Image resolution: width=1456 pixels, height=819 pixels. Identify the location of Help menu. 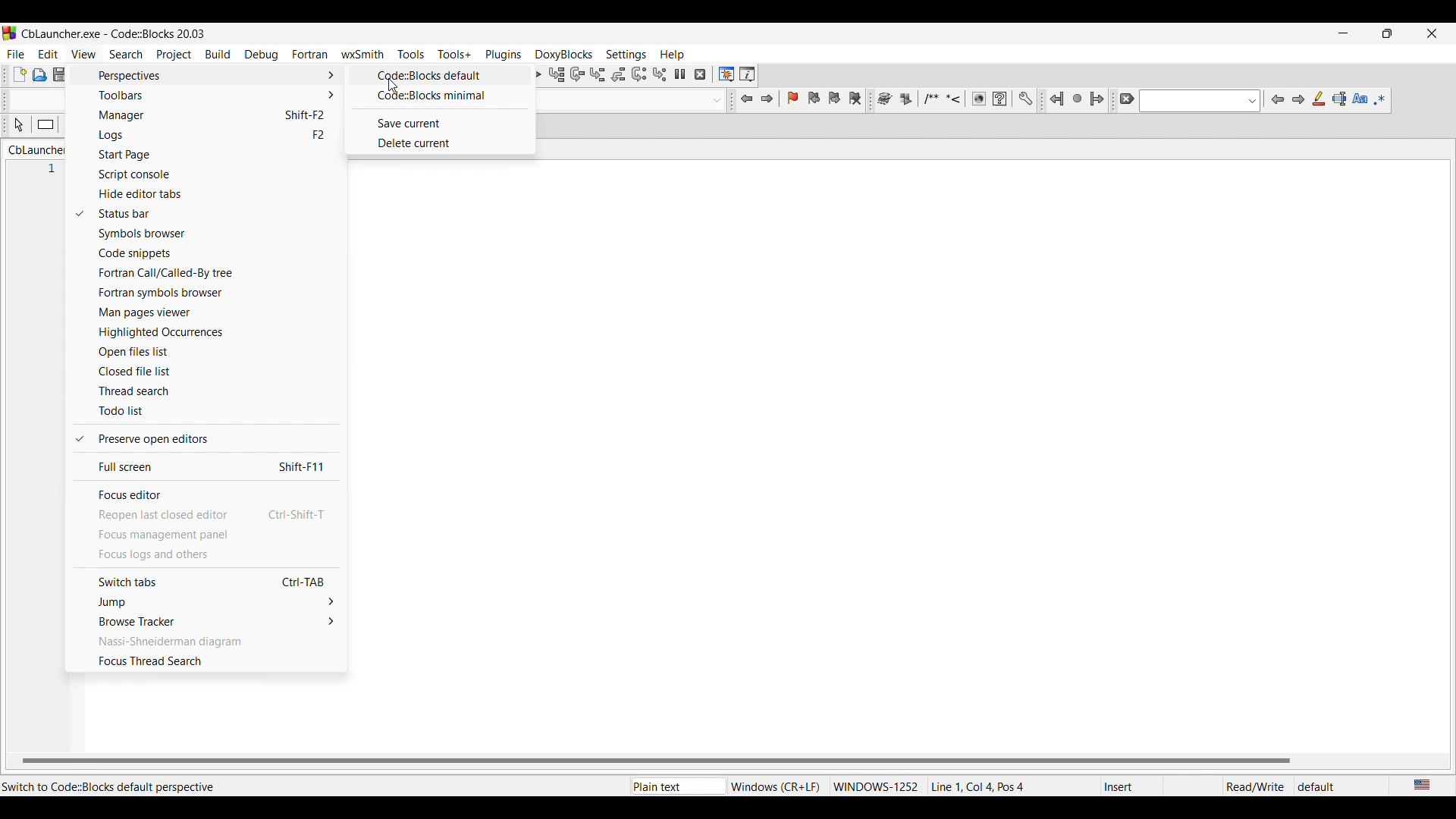
(673, 55).